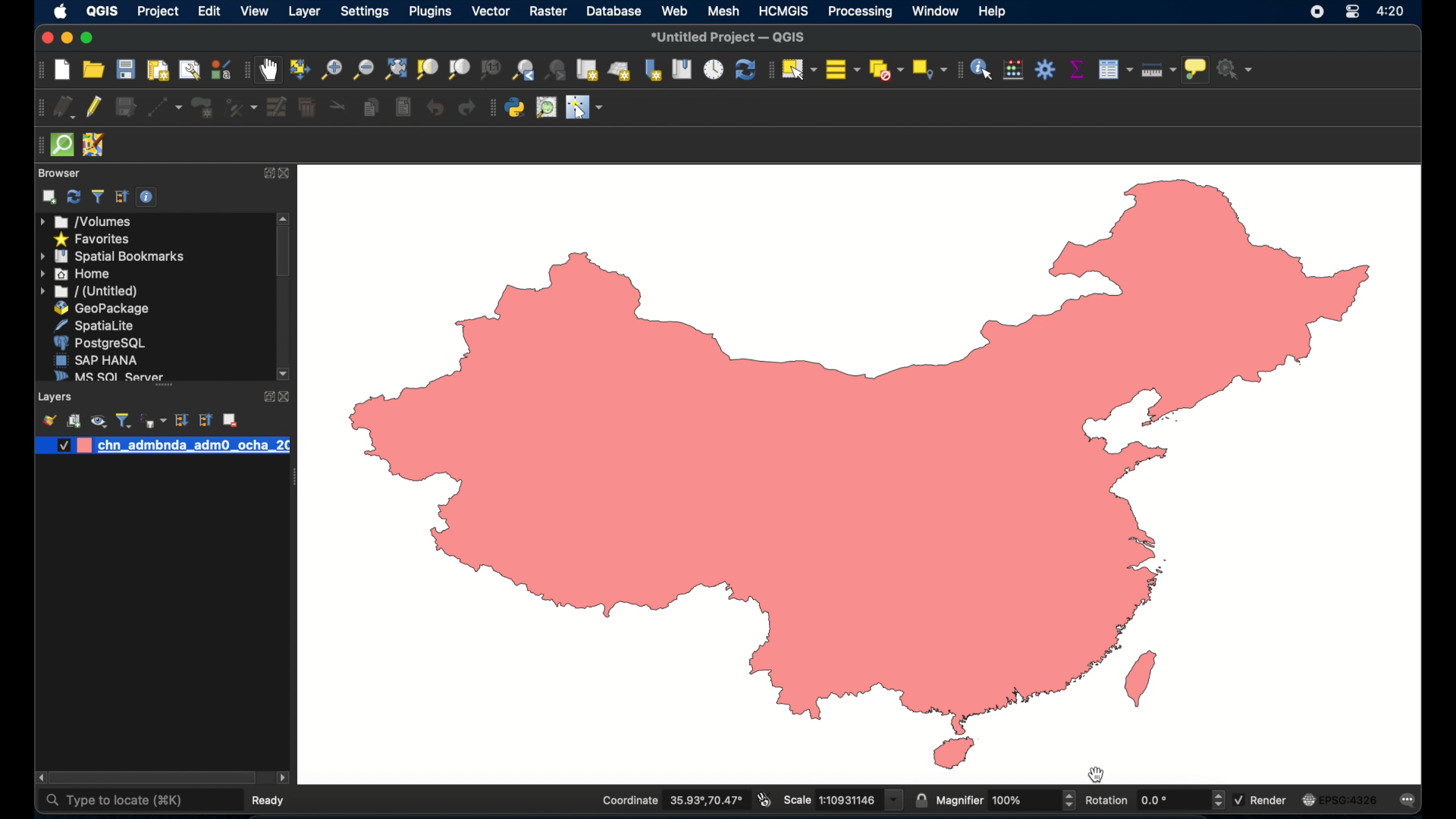 The width and height of the screenshot is (1456, 819). I want to click on collapse all, so click(122, 197).